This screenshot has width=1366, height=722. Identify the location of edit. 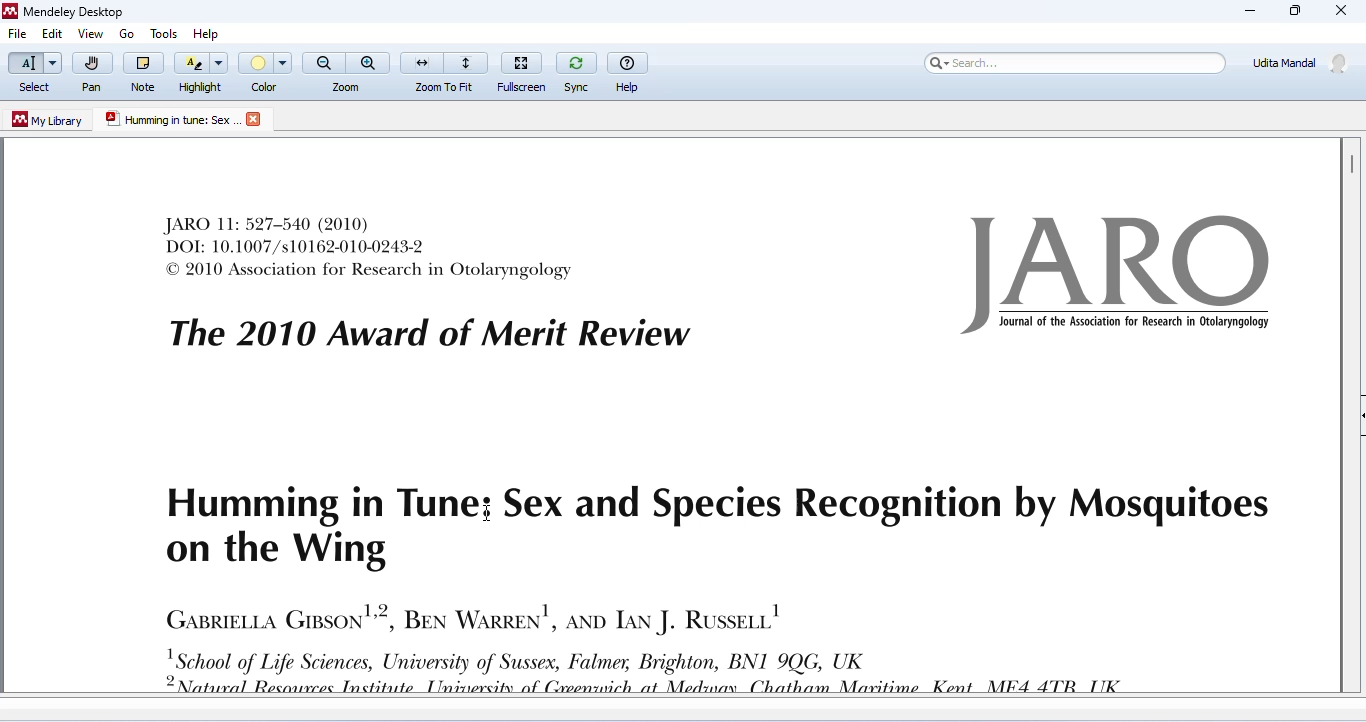
(51, 35).